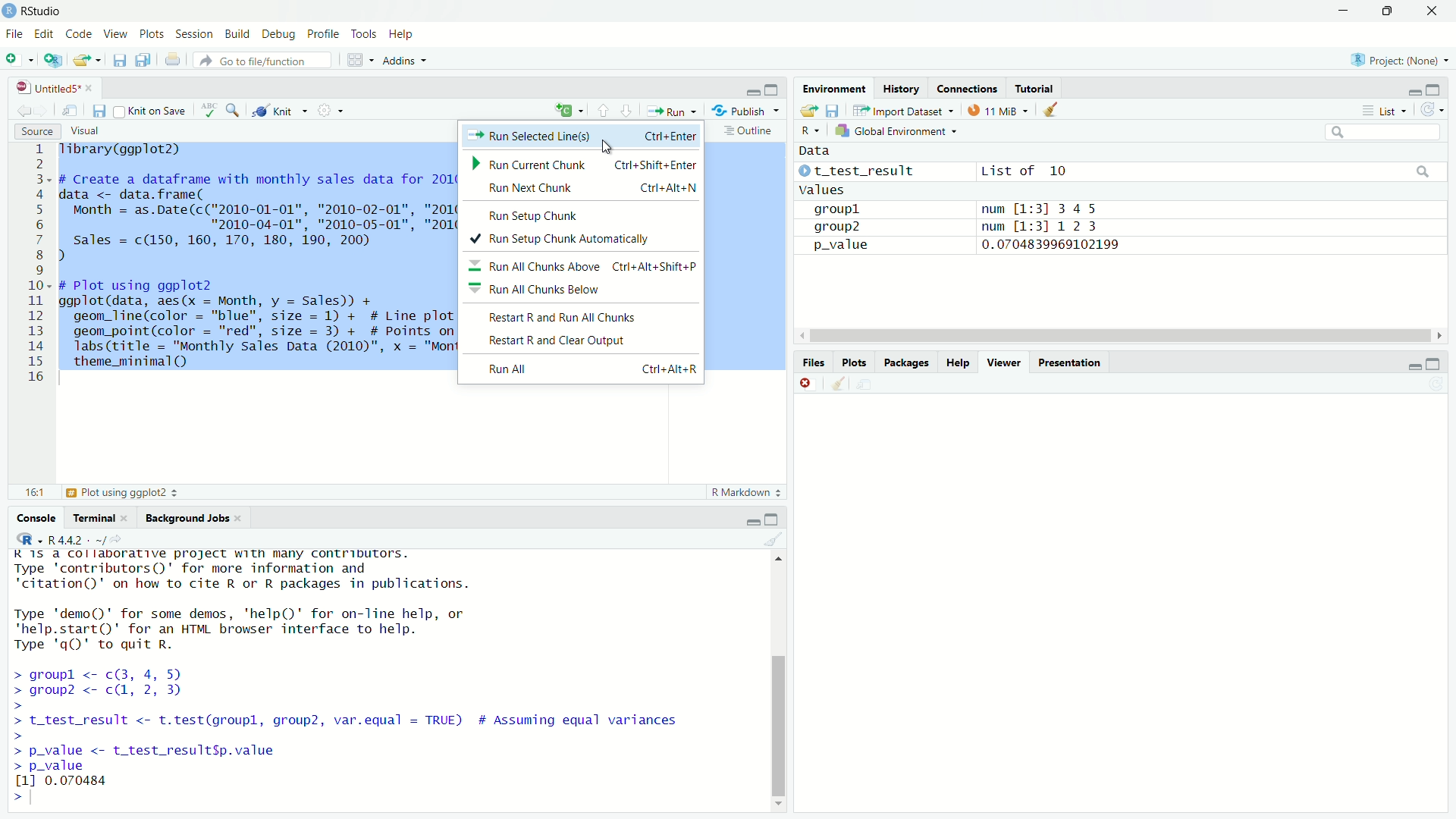  Describe the element at coordinates (959, 226) in the screenshot. I see `aroun? num M-=311 2 3` at that location.